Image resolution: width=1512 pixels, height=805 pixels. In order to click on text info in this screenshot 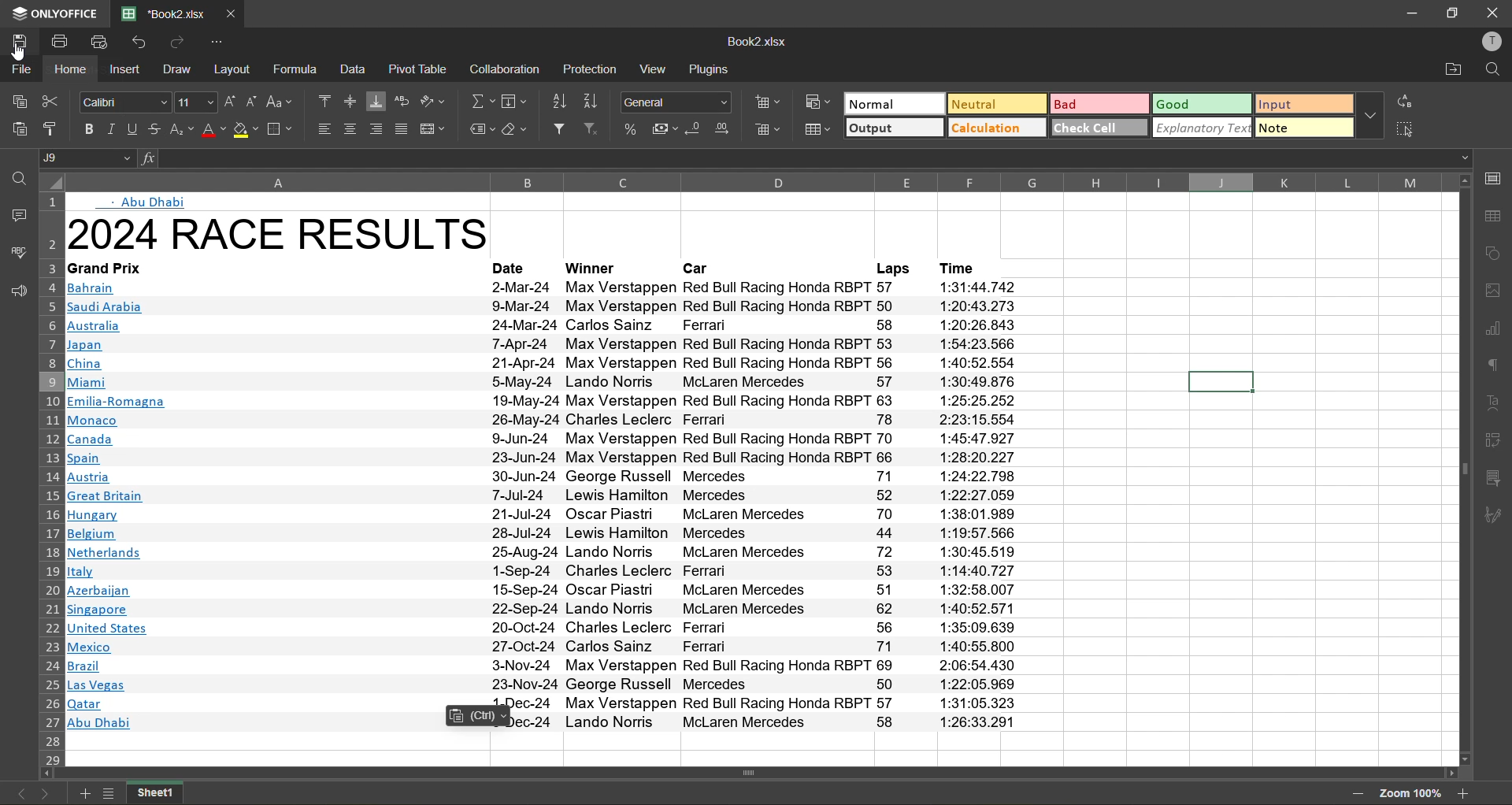, I will do `click(549, 647)`.